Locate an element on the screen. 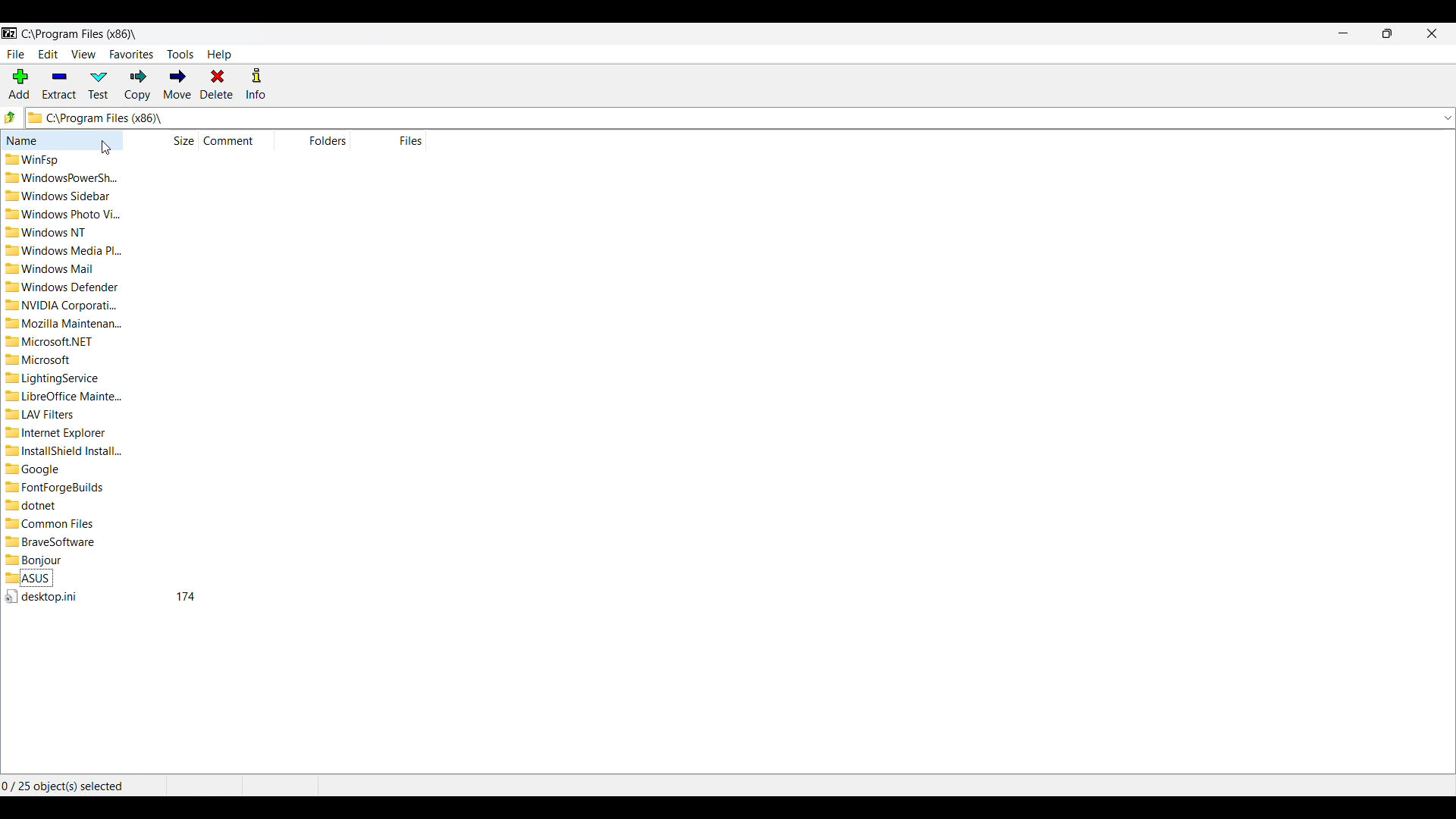  WinFsp is located at coordinates (34, 159).